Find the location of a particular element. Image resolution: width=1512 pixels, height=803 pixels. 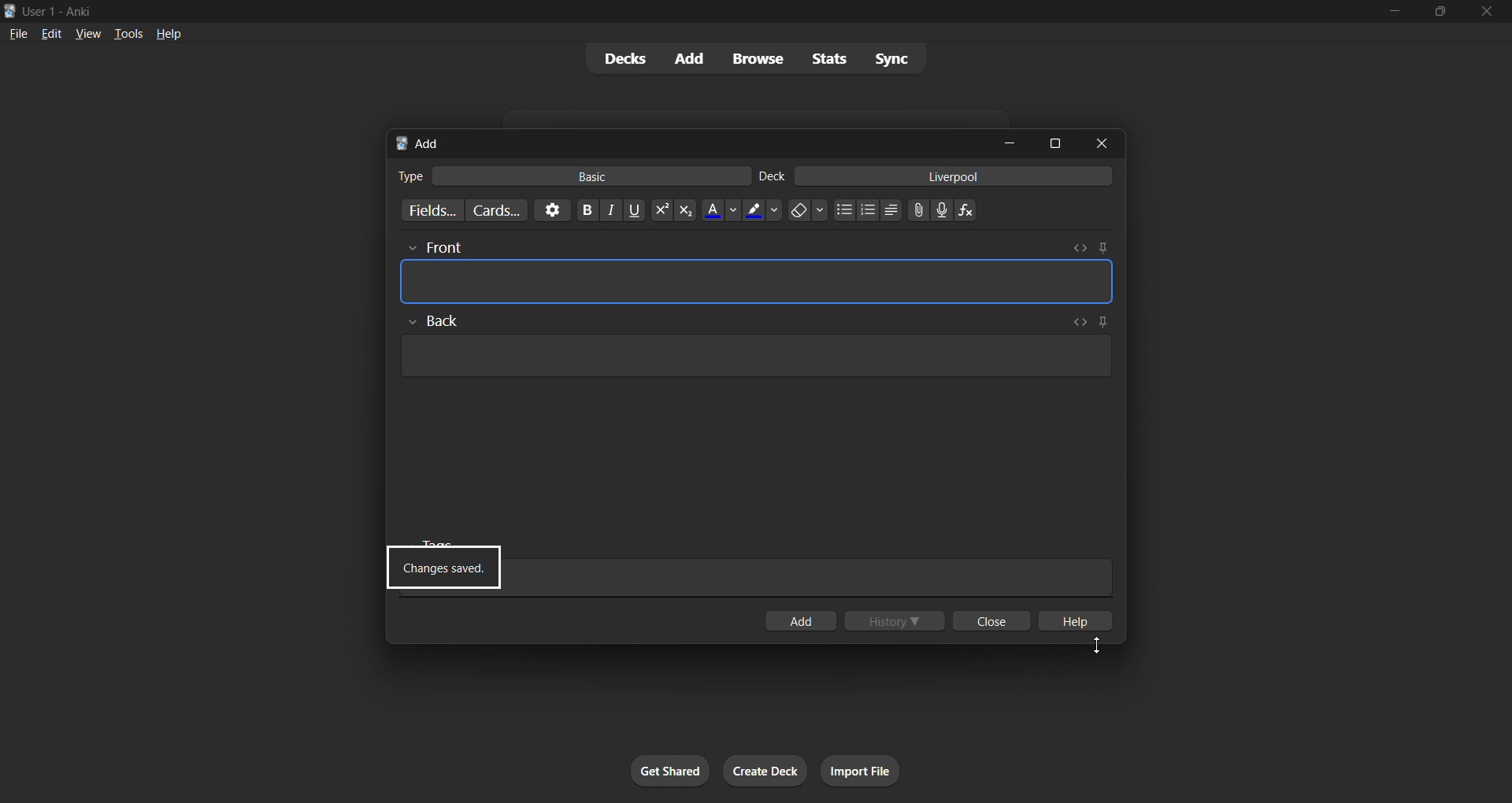

minimize is located at coordinates (1008, 142).